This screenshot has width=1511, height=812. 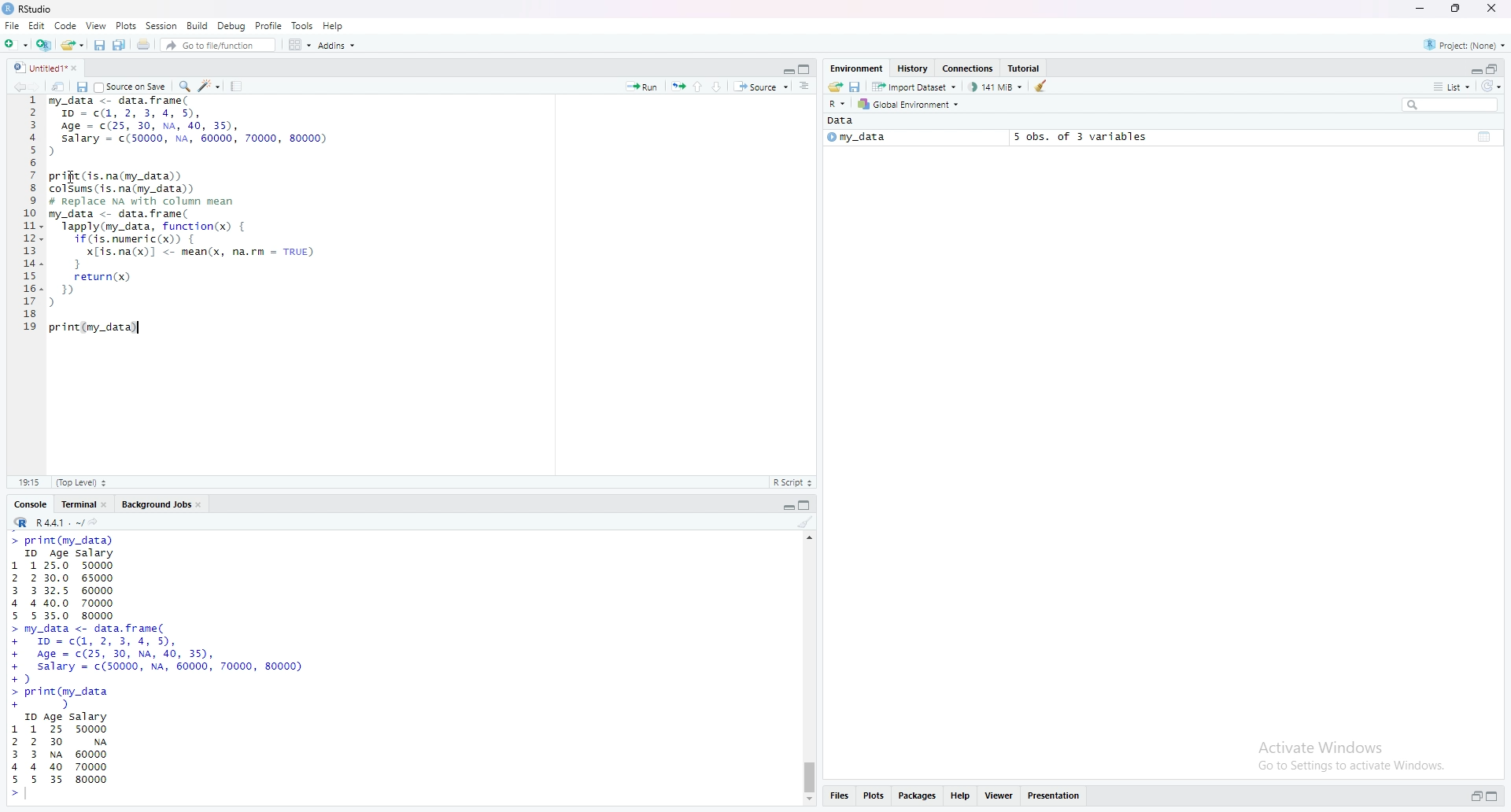 I want to click on open an existing file, so click(x=72, y=45).